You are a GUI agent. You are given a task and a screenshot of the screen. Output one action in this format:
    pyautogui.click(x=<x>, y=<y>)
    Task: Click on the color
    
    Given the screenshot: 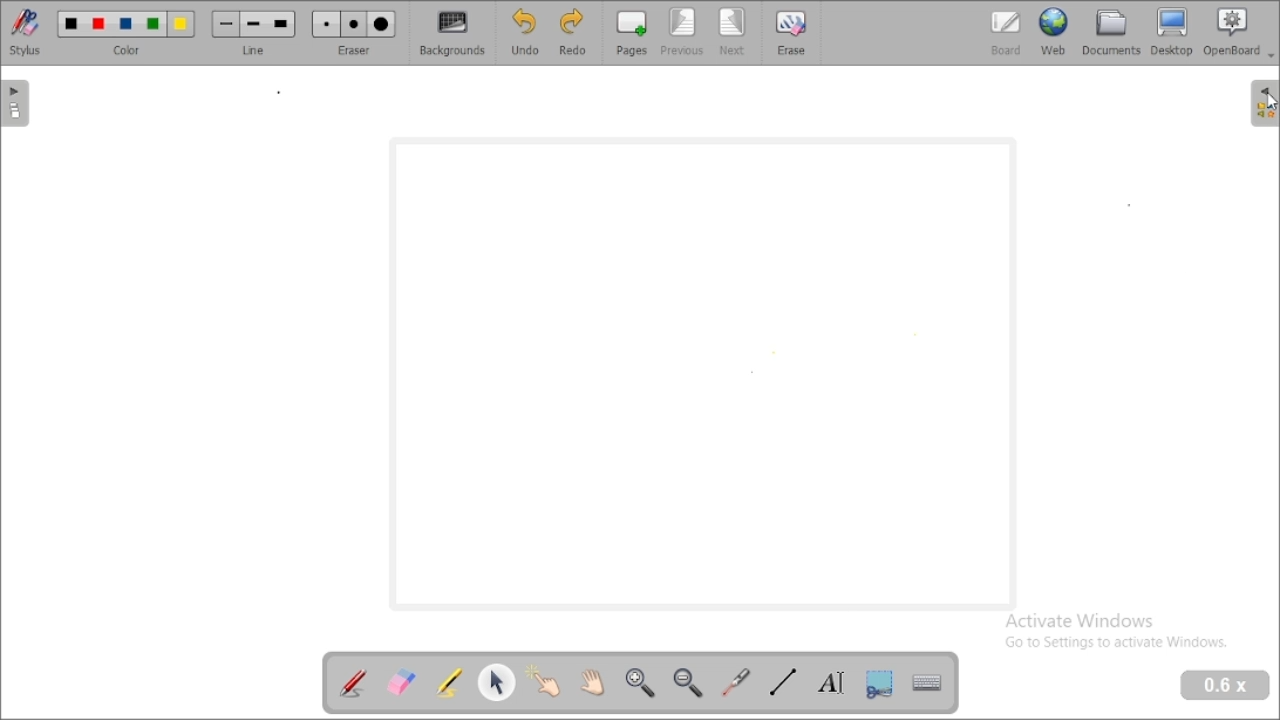 What is the action you would take?
    pyautogui.click(x=126, y=32)
    